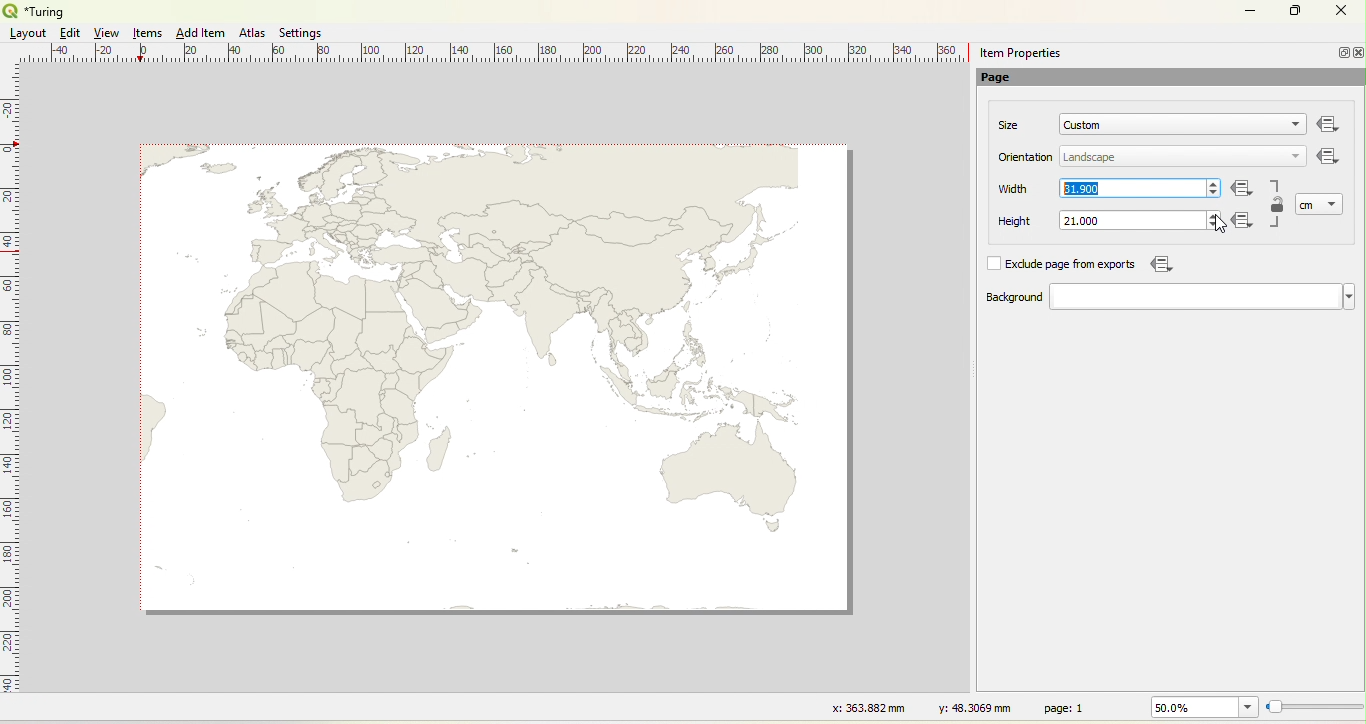 The height and width of the screenshot is (724, 1366). What do you see at coordinates (108, 33) in the screenshot?
I see `View` at bounding box center [108, 33].